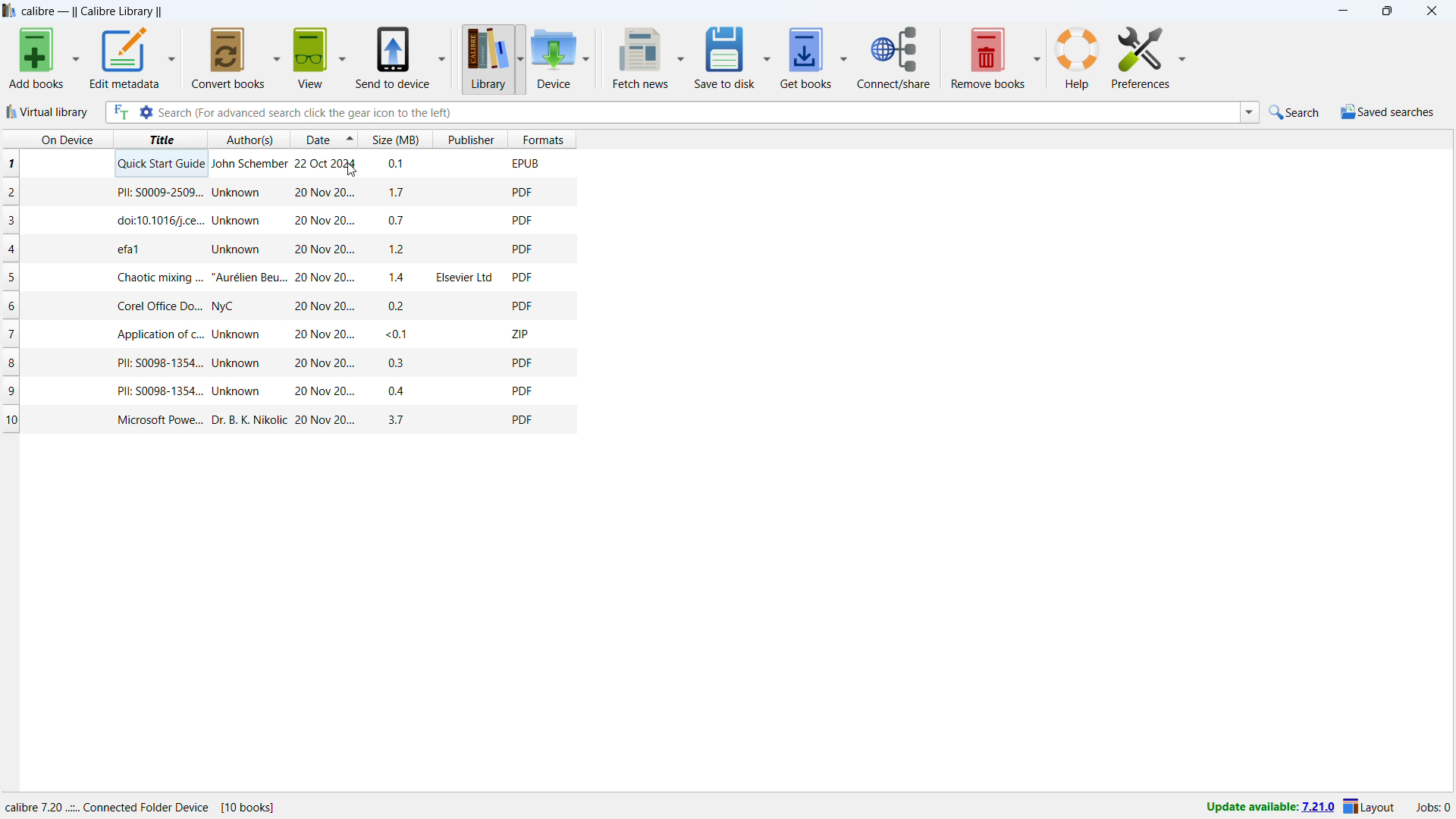 This screenshot has height=819, width=1456. I want to click on title, so click(93, 12).